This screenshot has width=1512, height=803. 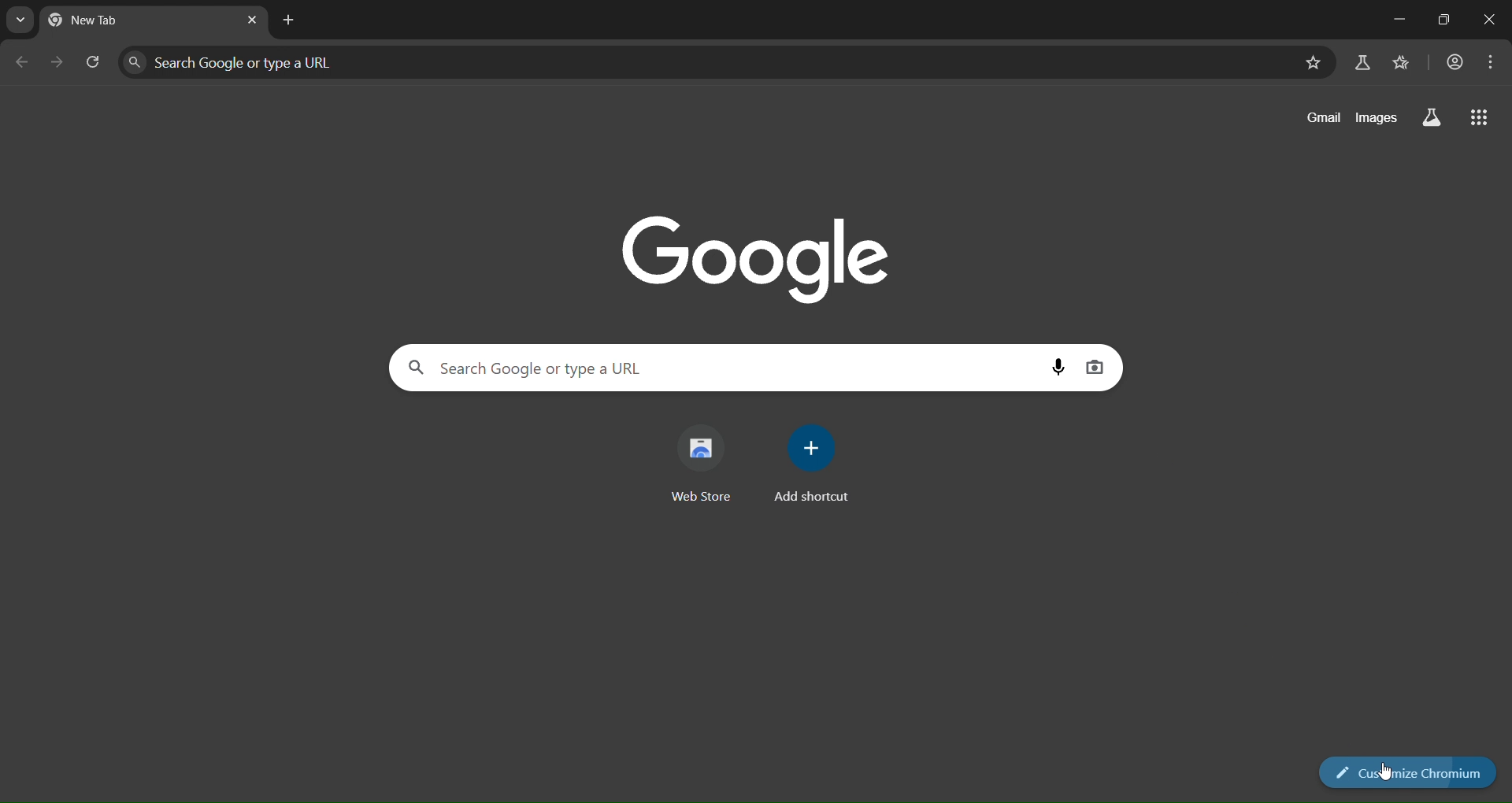 What do you see at coordinates (113, 21) in the screenshot?
I see `current tab` at bounding box center [113, 21].